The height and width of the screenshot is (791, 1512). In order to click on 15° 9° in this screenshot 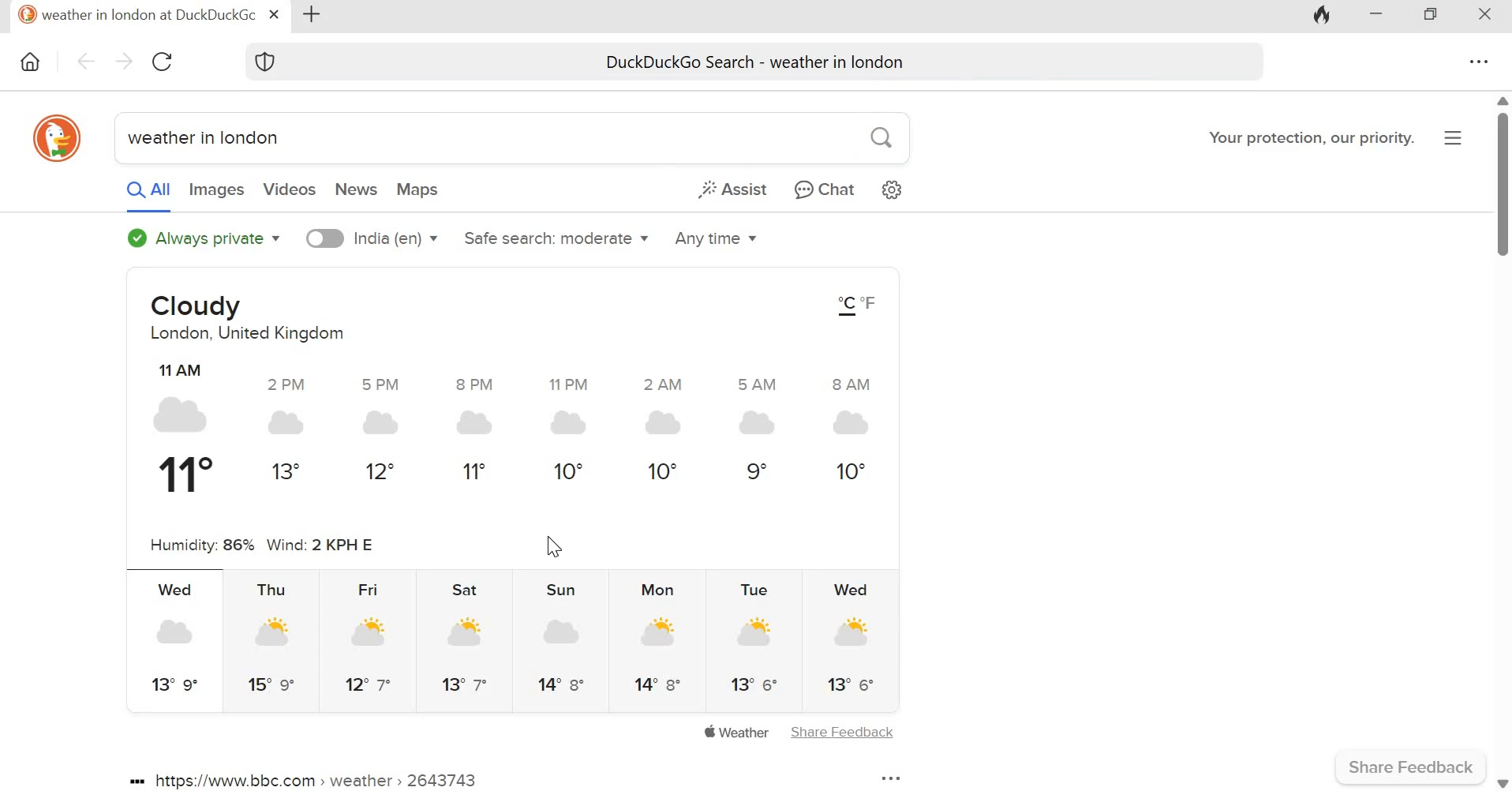, I will do `click(271, 685)`.